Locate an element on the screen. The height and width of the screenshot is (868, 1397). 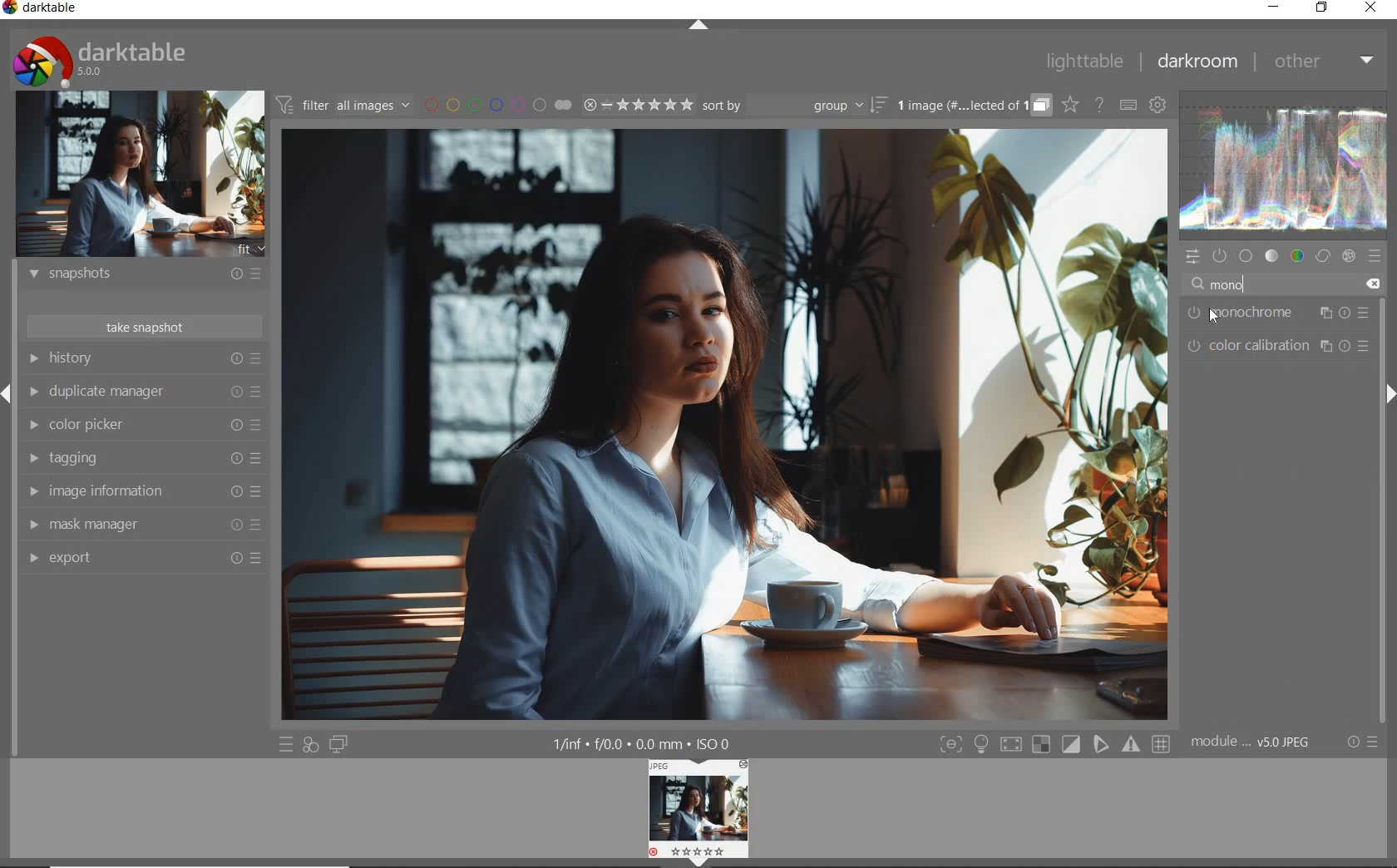
duplicate manager is located at coordinates (144, 393).